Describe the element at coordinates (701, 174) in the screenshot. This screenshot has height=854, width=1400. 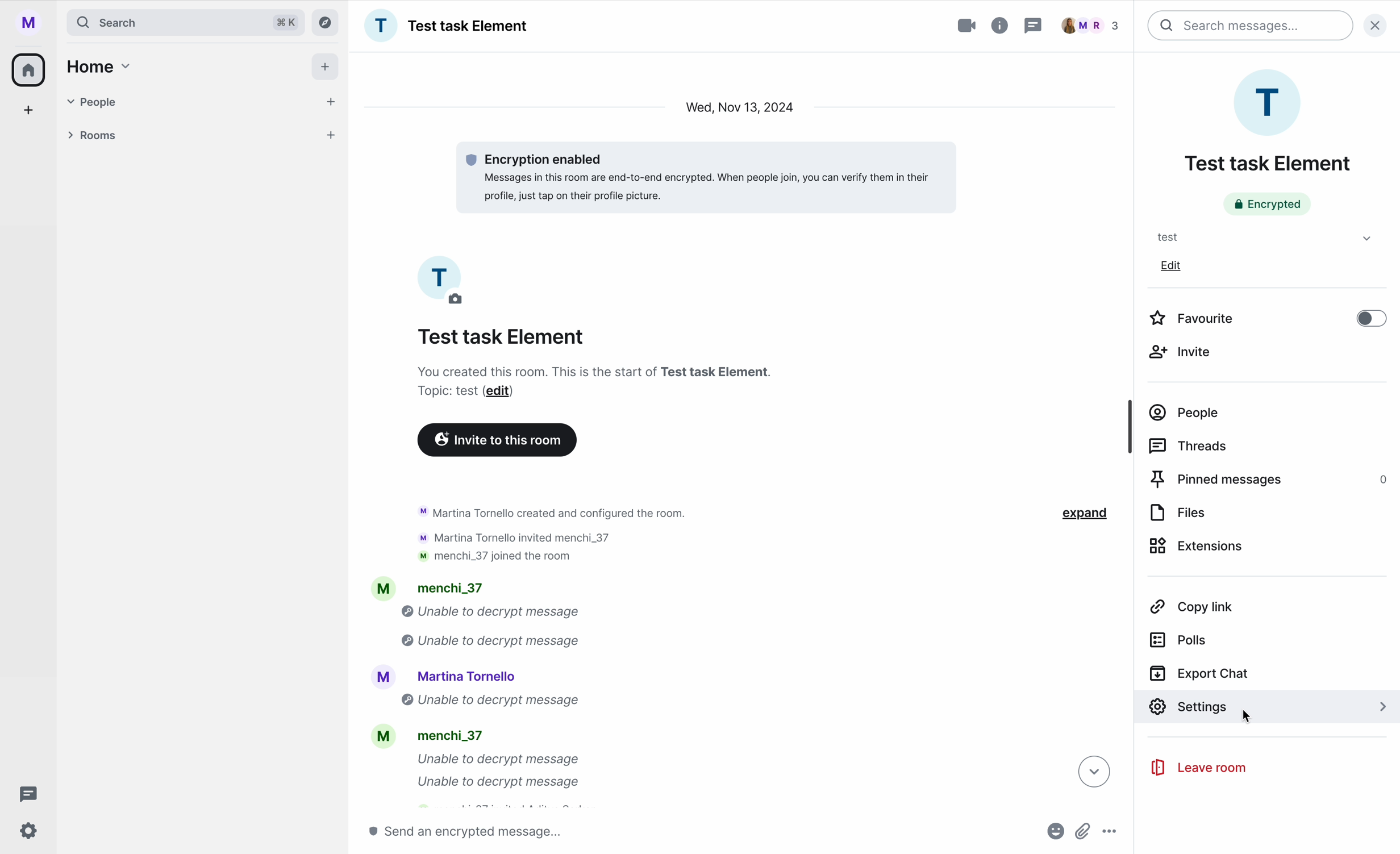
I see `message encrypted` at that location.